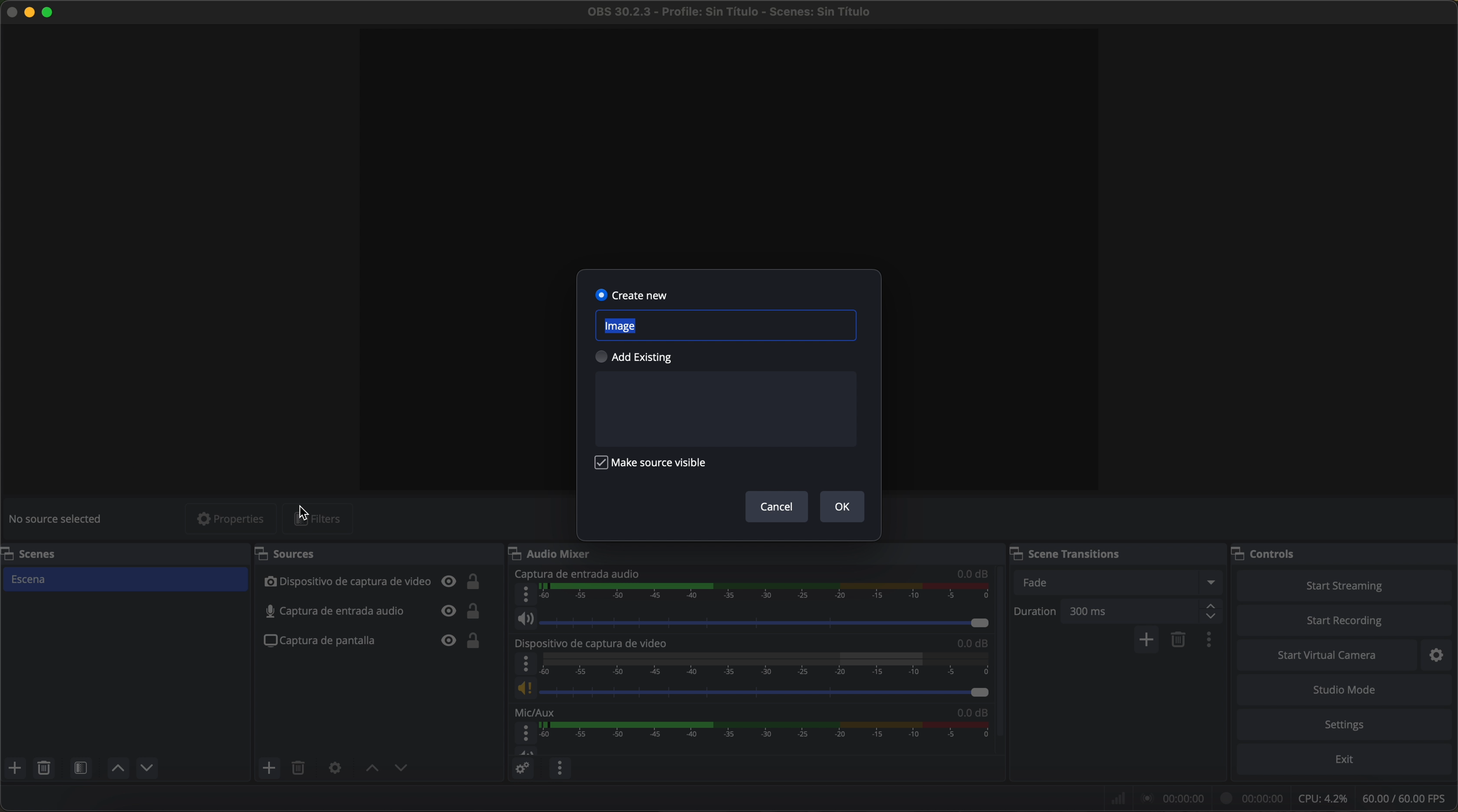  Describe the element at coordinates (373, 611) in the screenshot. I see `audio input capture` at that location.